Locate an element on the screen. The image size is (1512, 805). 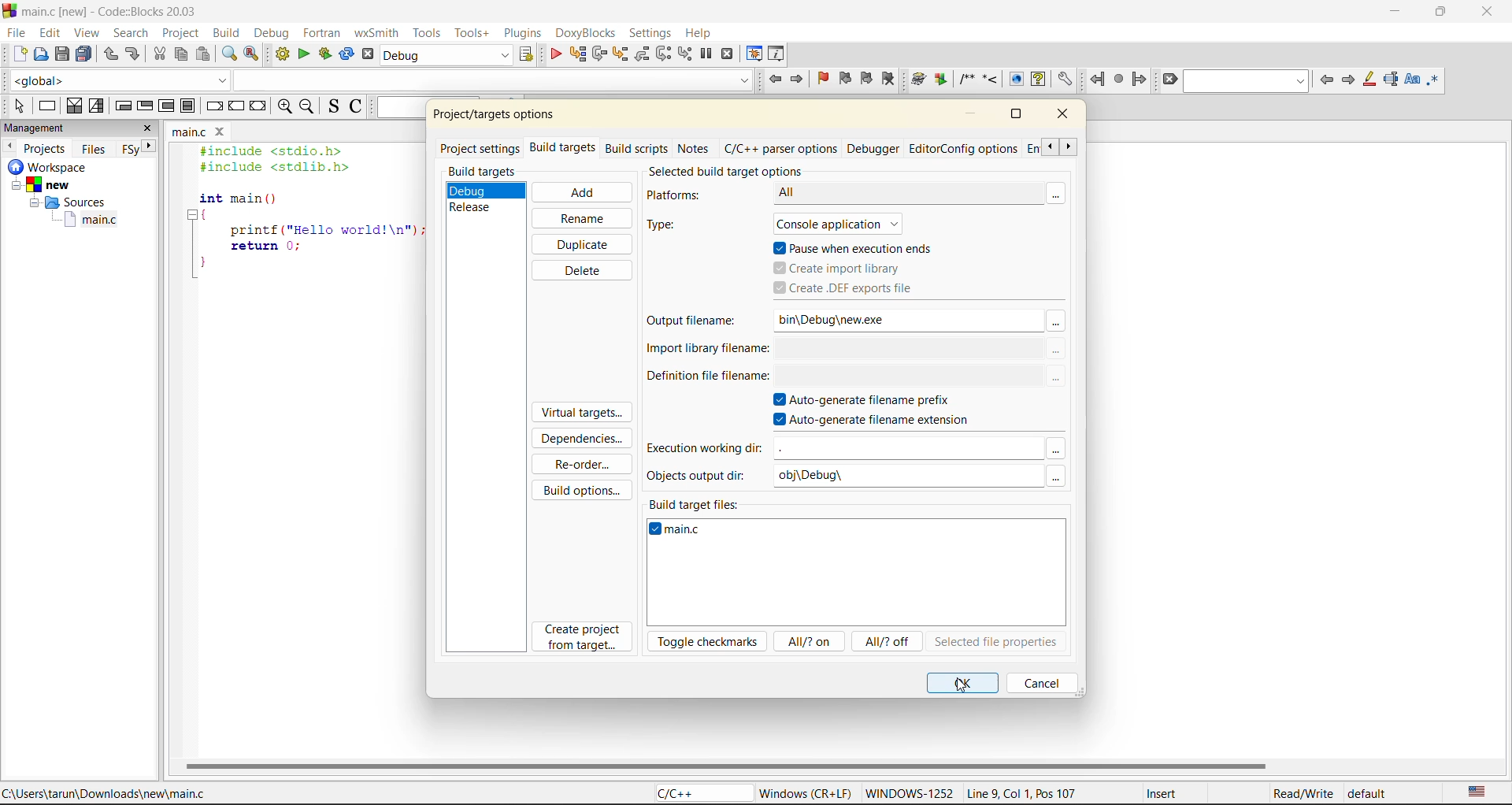
main.c is located at coordinates (189, 133).